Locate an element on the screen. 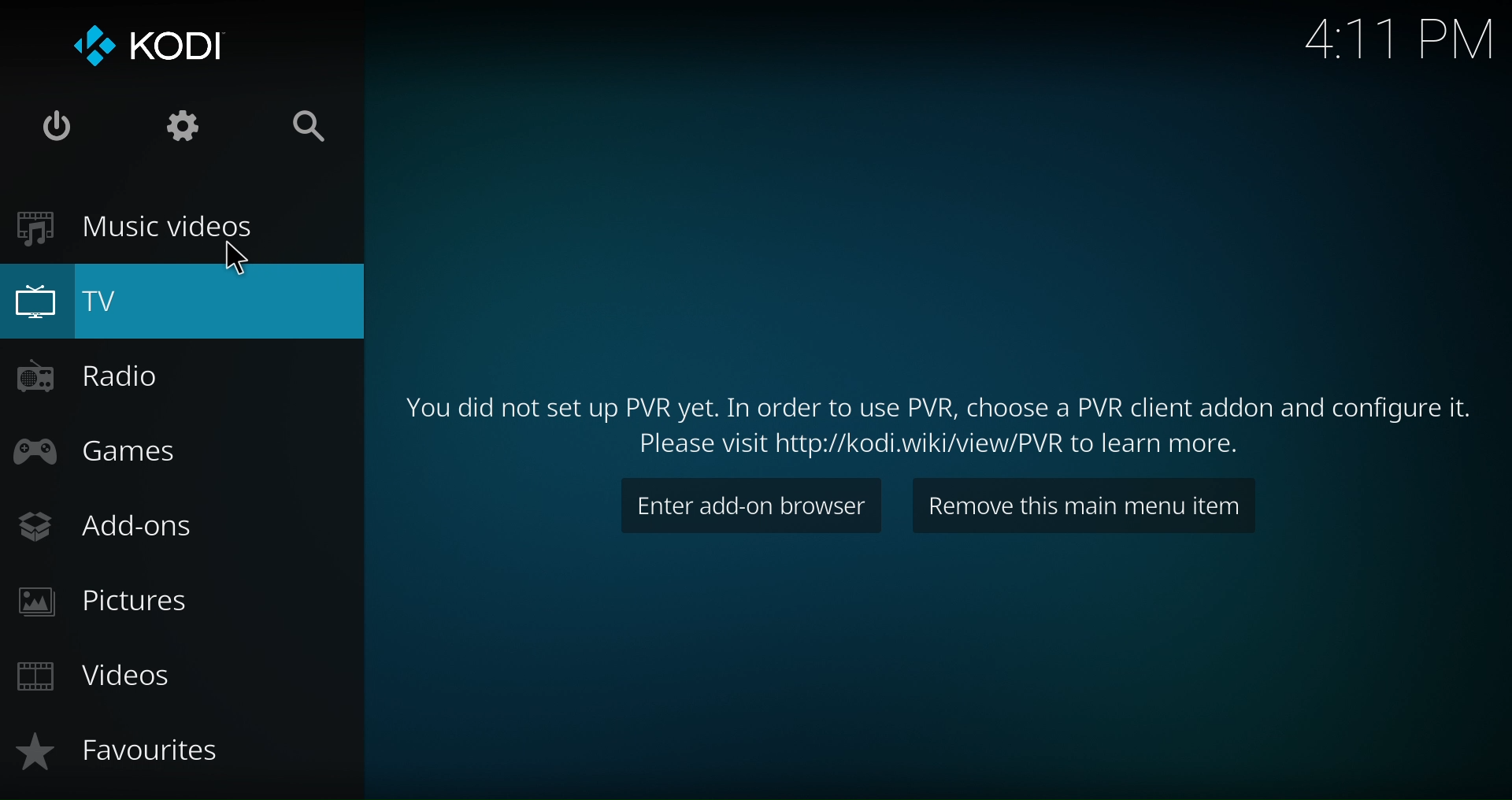 The height and width of the screenshot is (800, 1512). Power options is located at coordinates (57, 124).